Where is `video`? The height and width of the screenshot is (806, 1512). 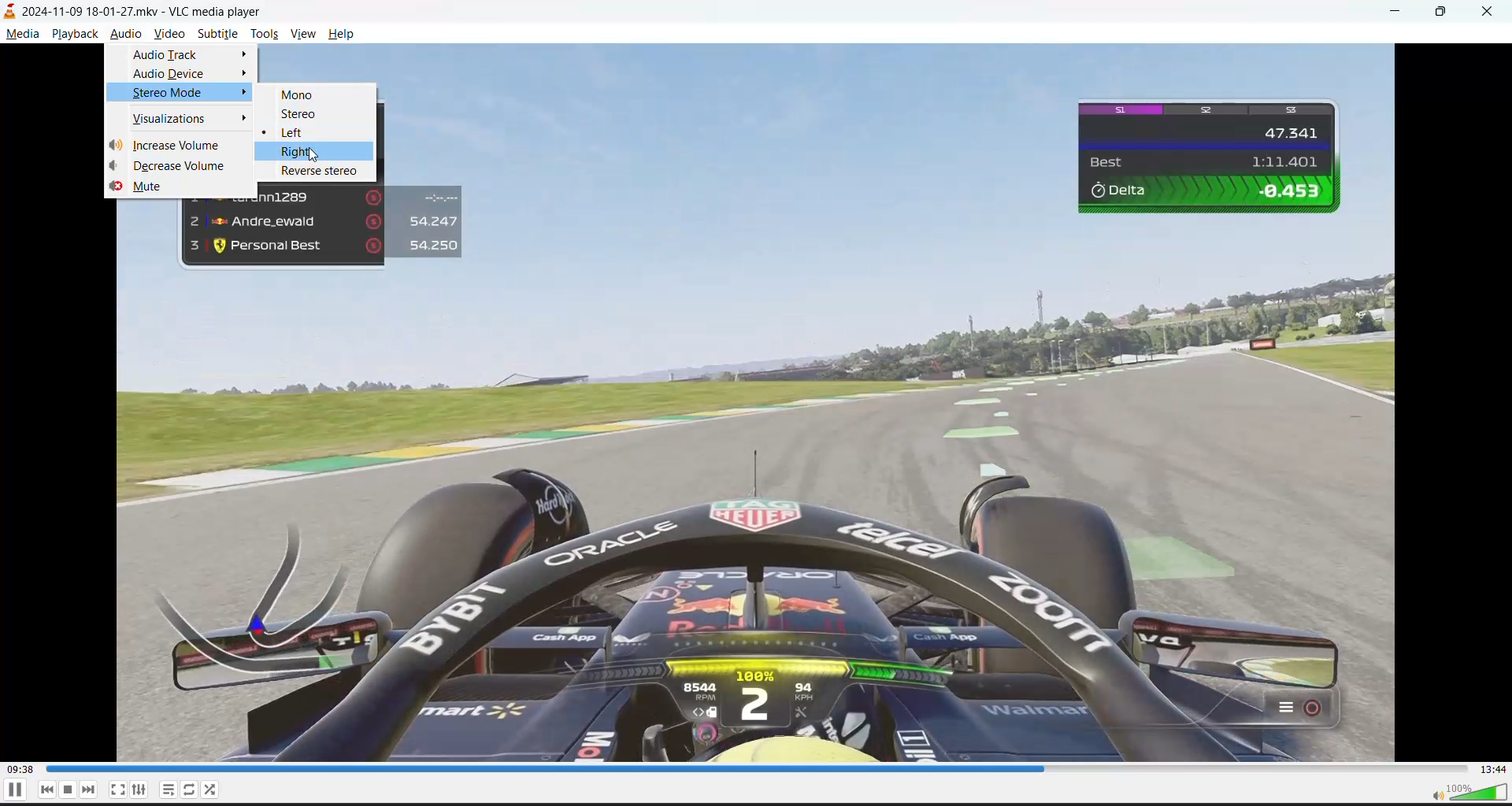 video is located at coordinates (169, 35).